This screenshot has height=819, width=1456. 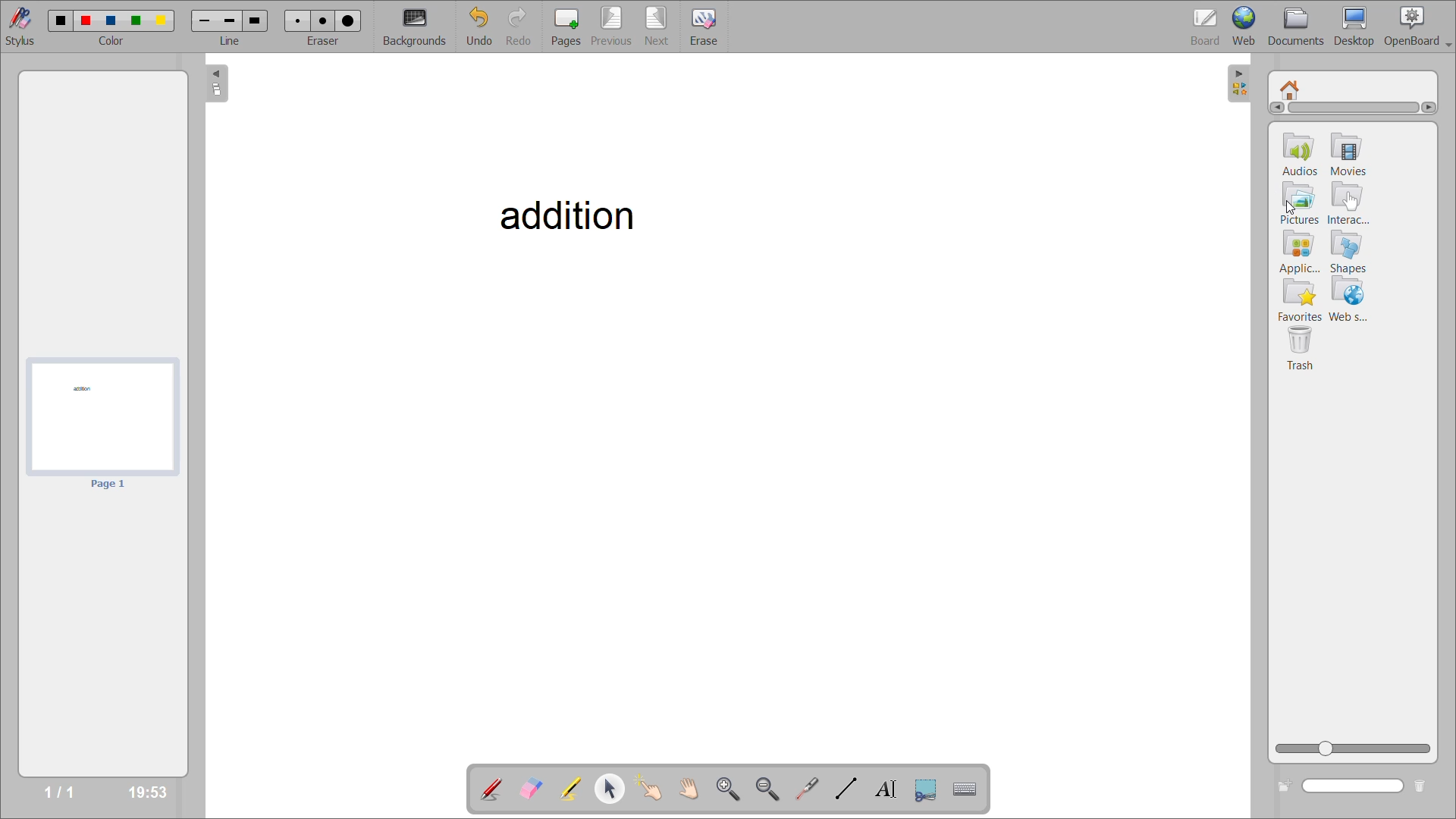 I want to click on zoom in, so click(x=729, y=787).